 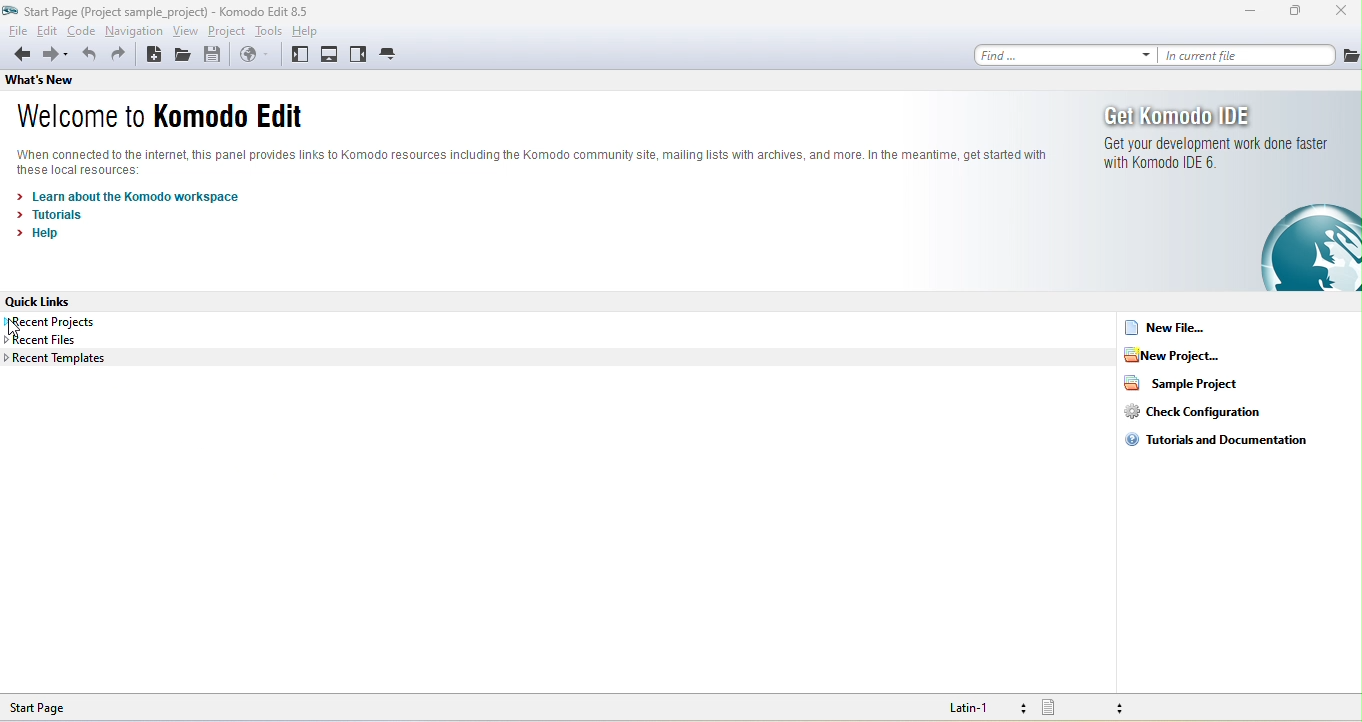 I want to click on redo, so click(x=119, y=56).